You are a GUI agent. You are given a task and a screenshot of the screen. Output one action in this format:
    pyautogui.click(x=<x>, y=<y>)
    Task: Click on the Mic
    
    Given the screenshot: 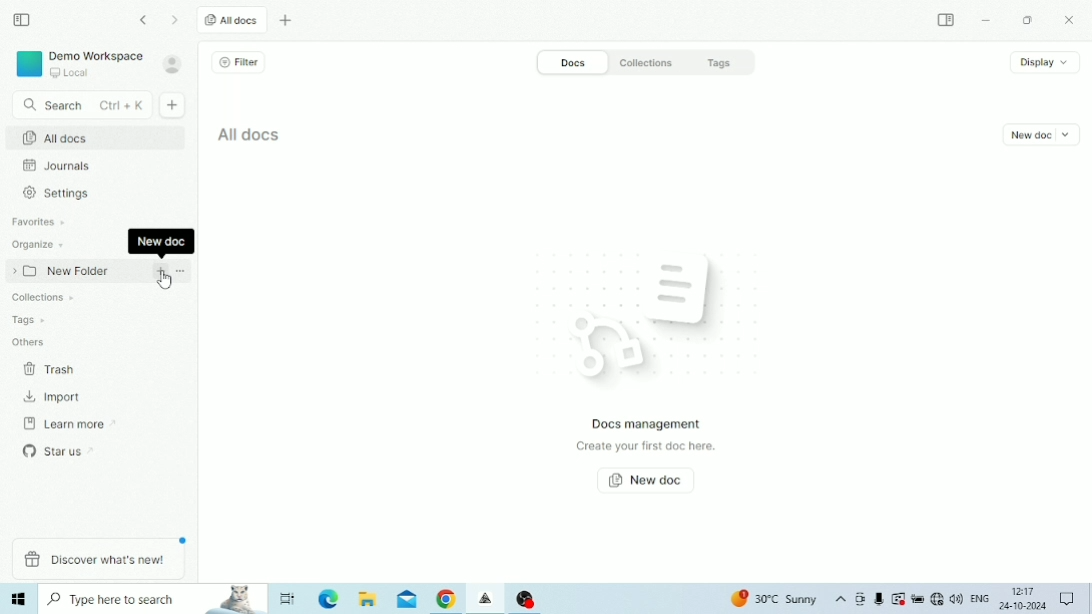 What is the action you would take?
    pyautogui.click(x=878, y=600)
    